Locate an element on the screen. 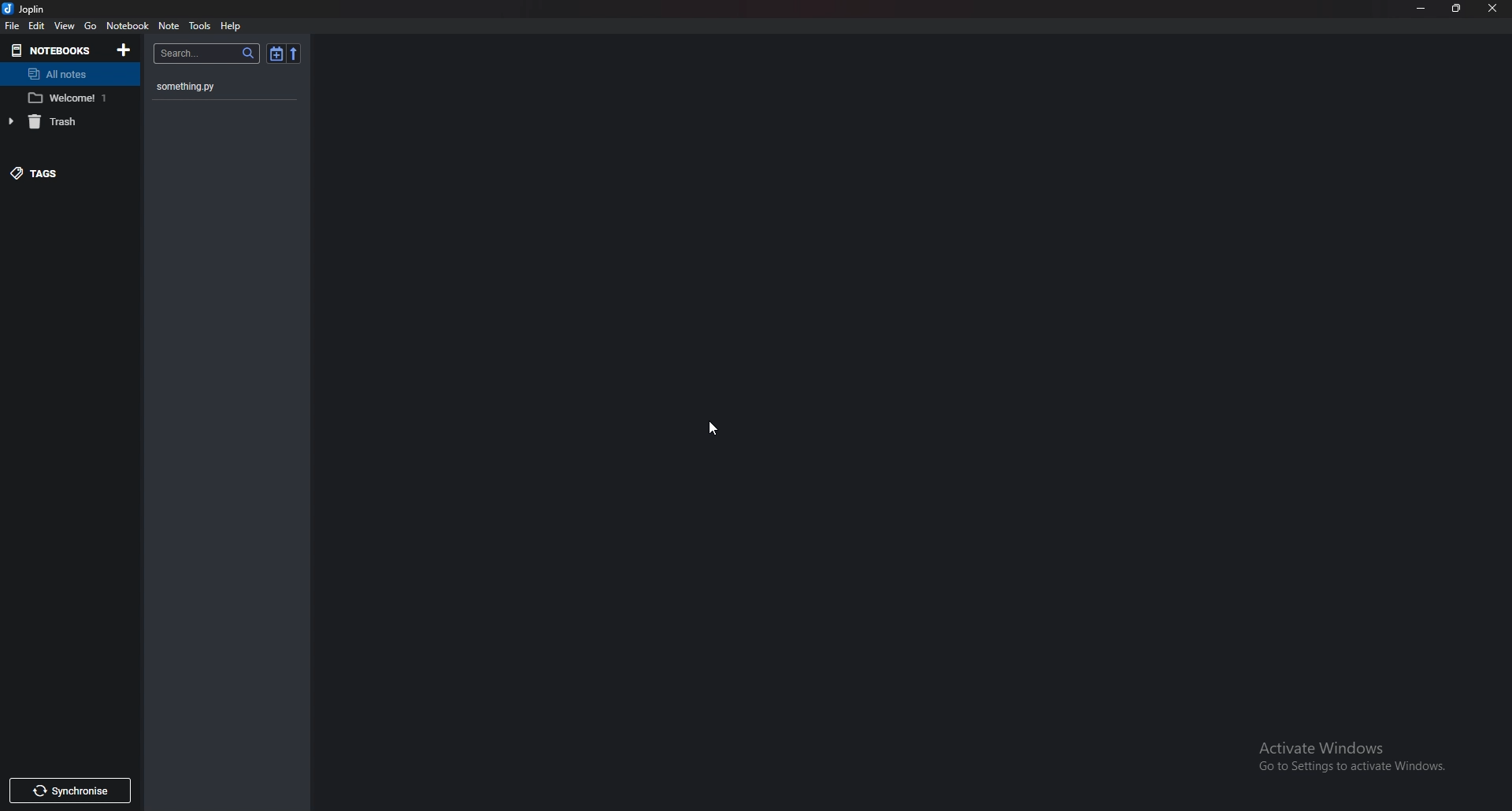  something.py is located at coordinates (205, 87).